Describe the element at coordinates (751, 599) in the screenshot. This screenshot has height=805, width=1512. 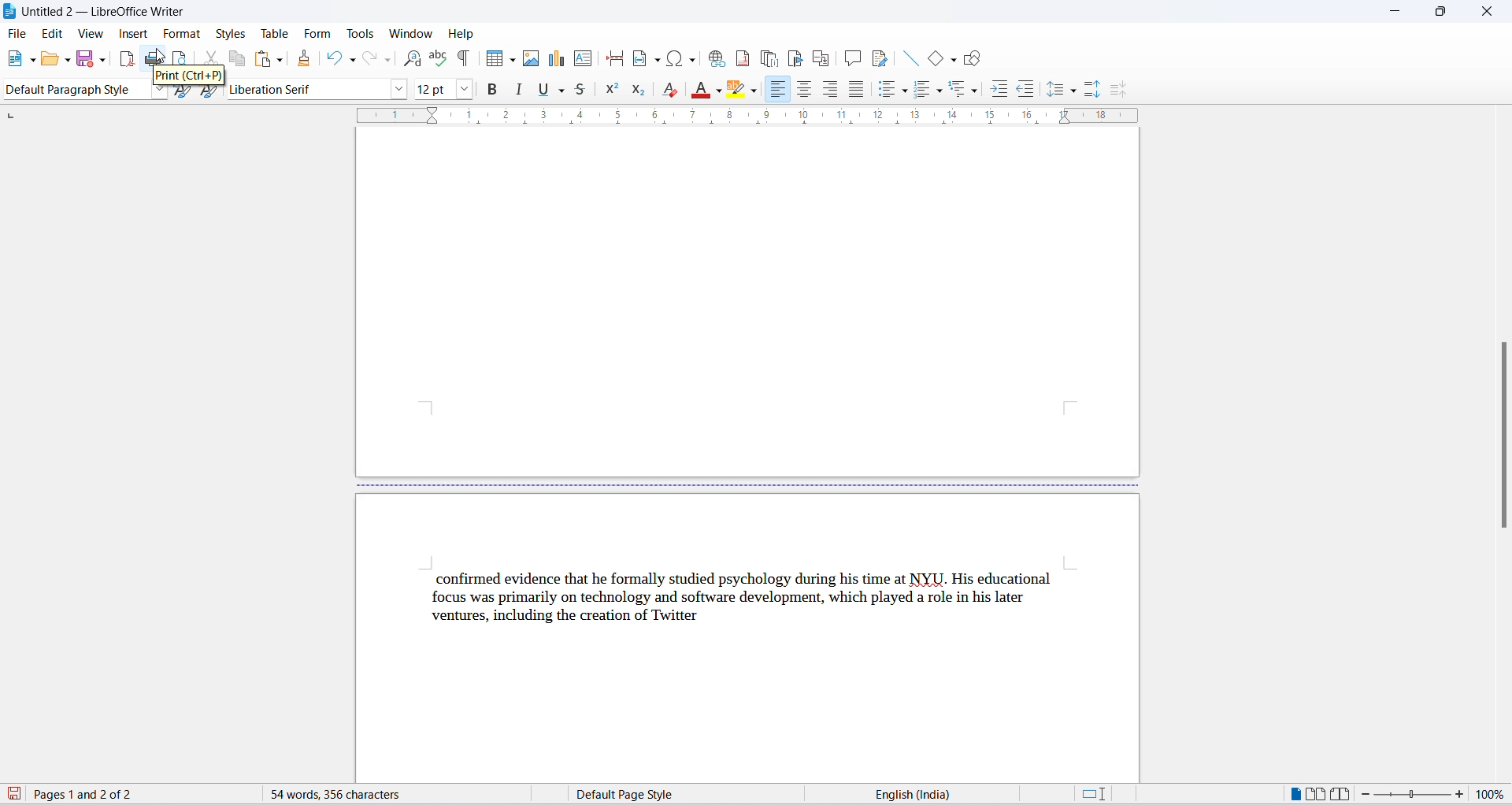
I see `text` at that location.